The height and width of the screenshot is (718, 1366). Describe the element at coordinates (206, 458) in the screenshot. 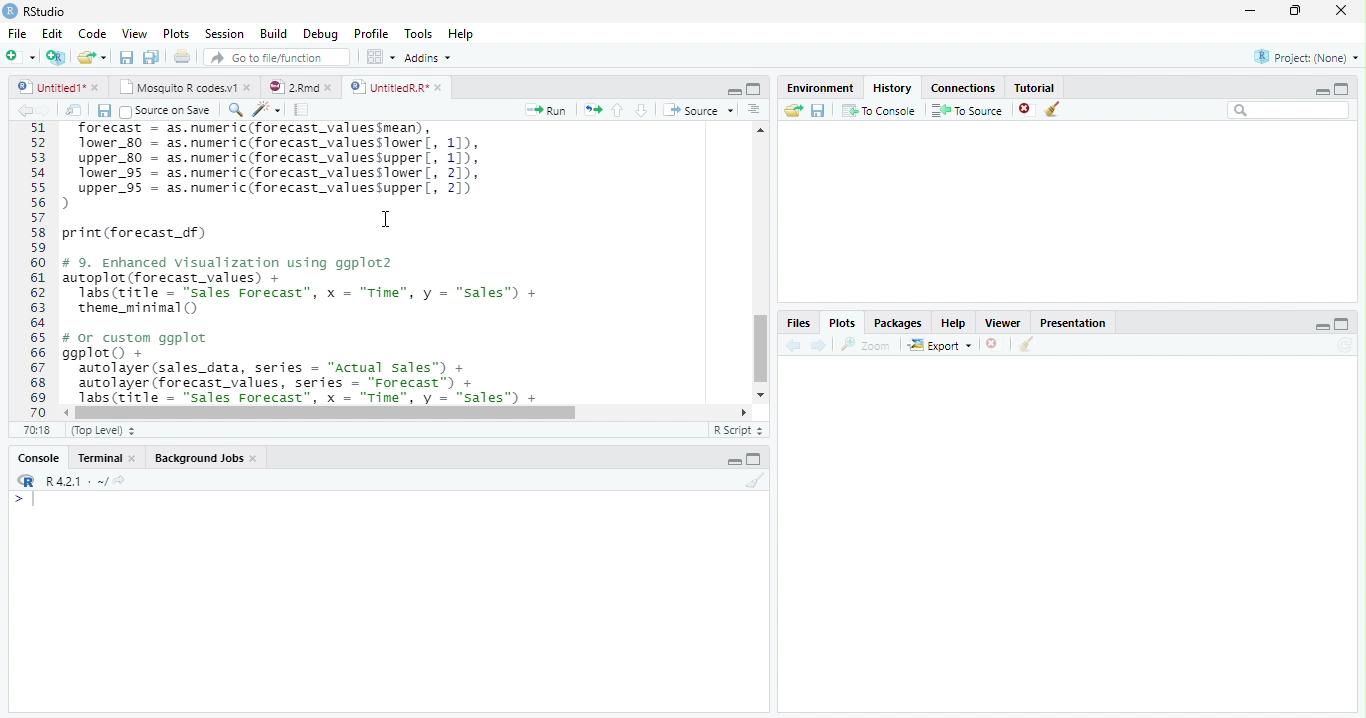

I see `Background jobs` at that location.